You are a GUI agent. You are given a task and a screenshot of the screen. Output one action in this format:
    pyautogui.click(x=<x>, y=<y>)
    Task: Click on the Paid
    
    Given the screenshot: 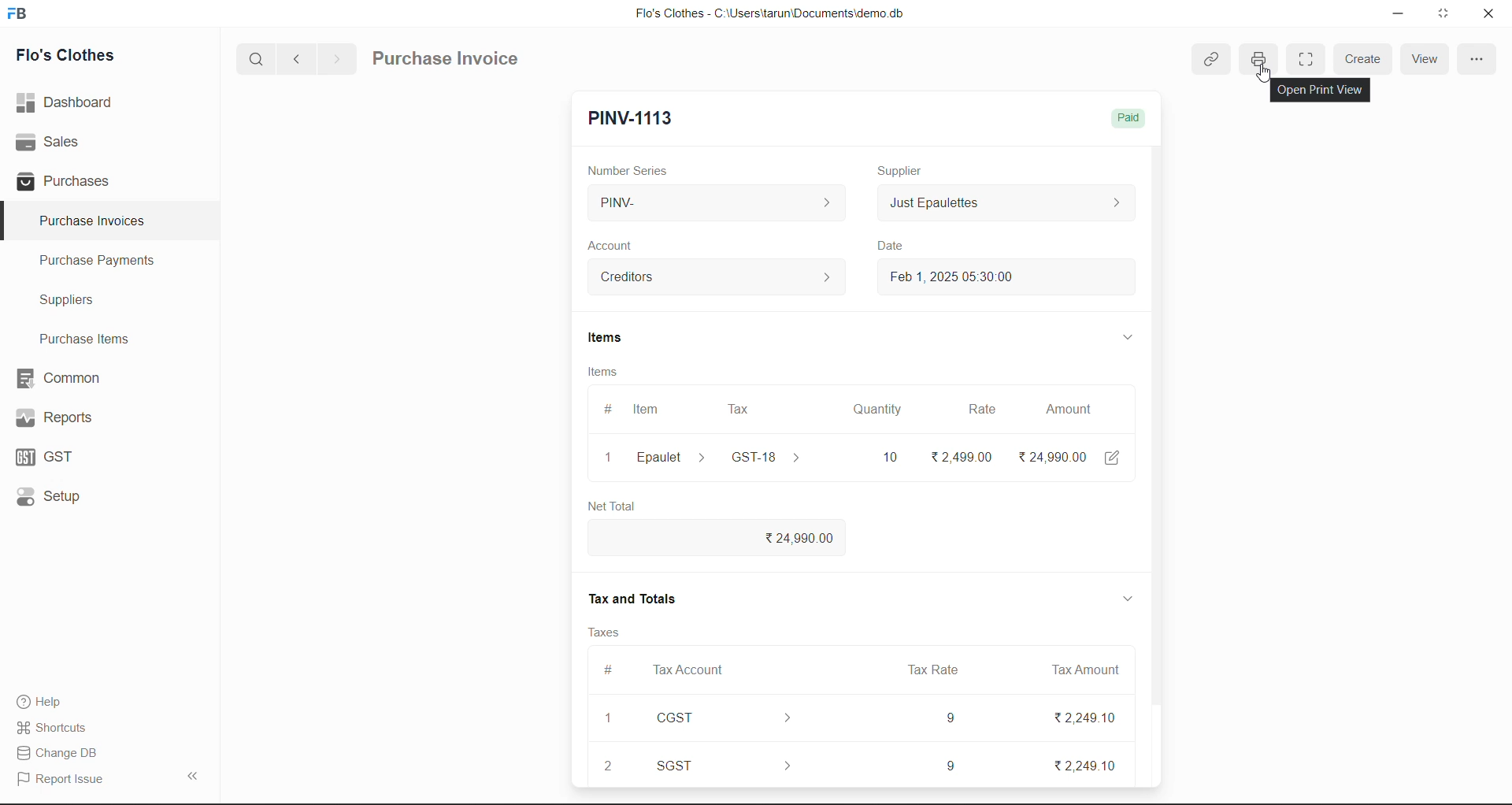 What is the action you would take?
    pyautogui.click(x=1128, y=116)
    